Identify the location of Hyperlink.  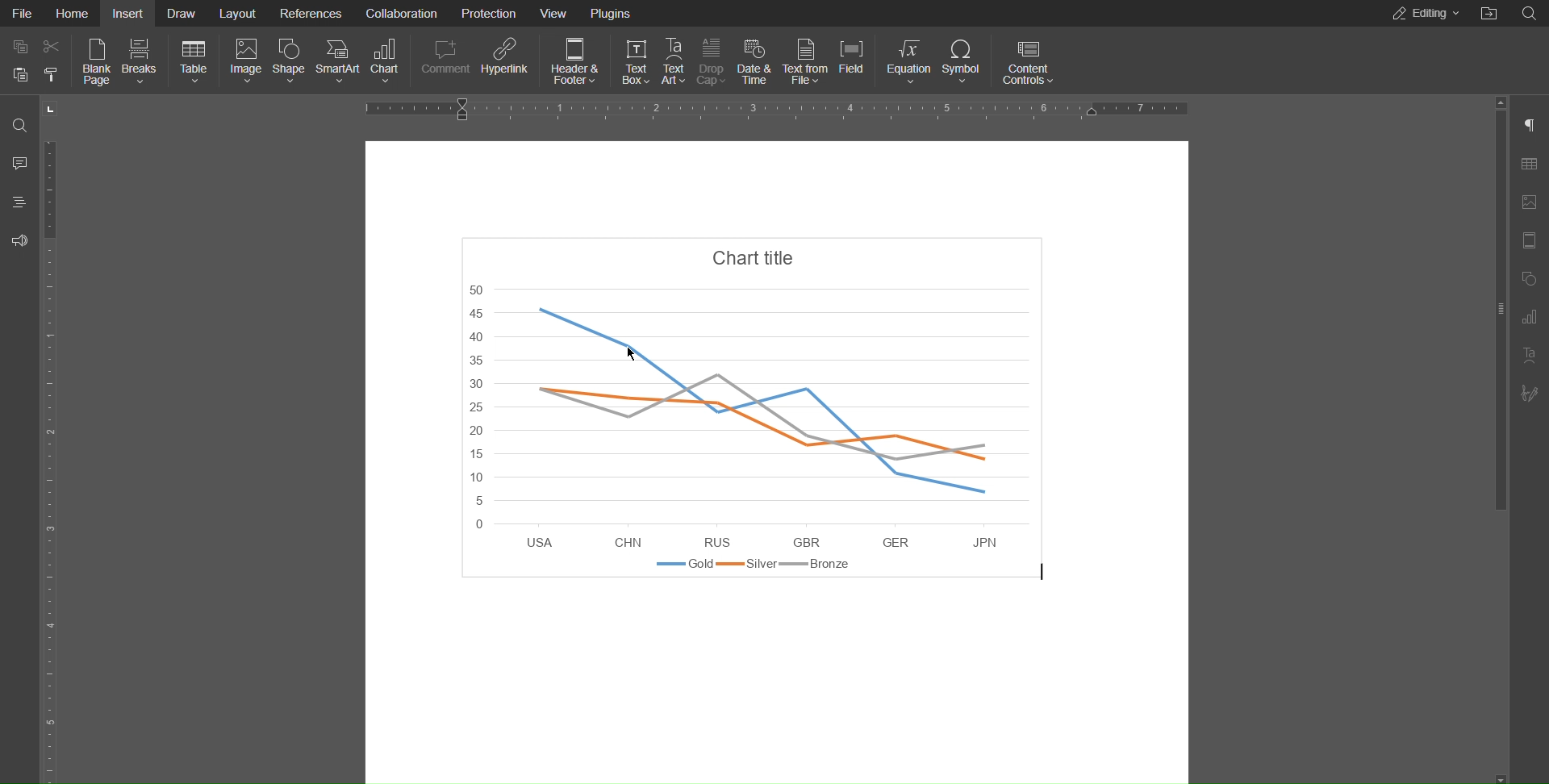
(506, 61).